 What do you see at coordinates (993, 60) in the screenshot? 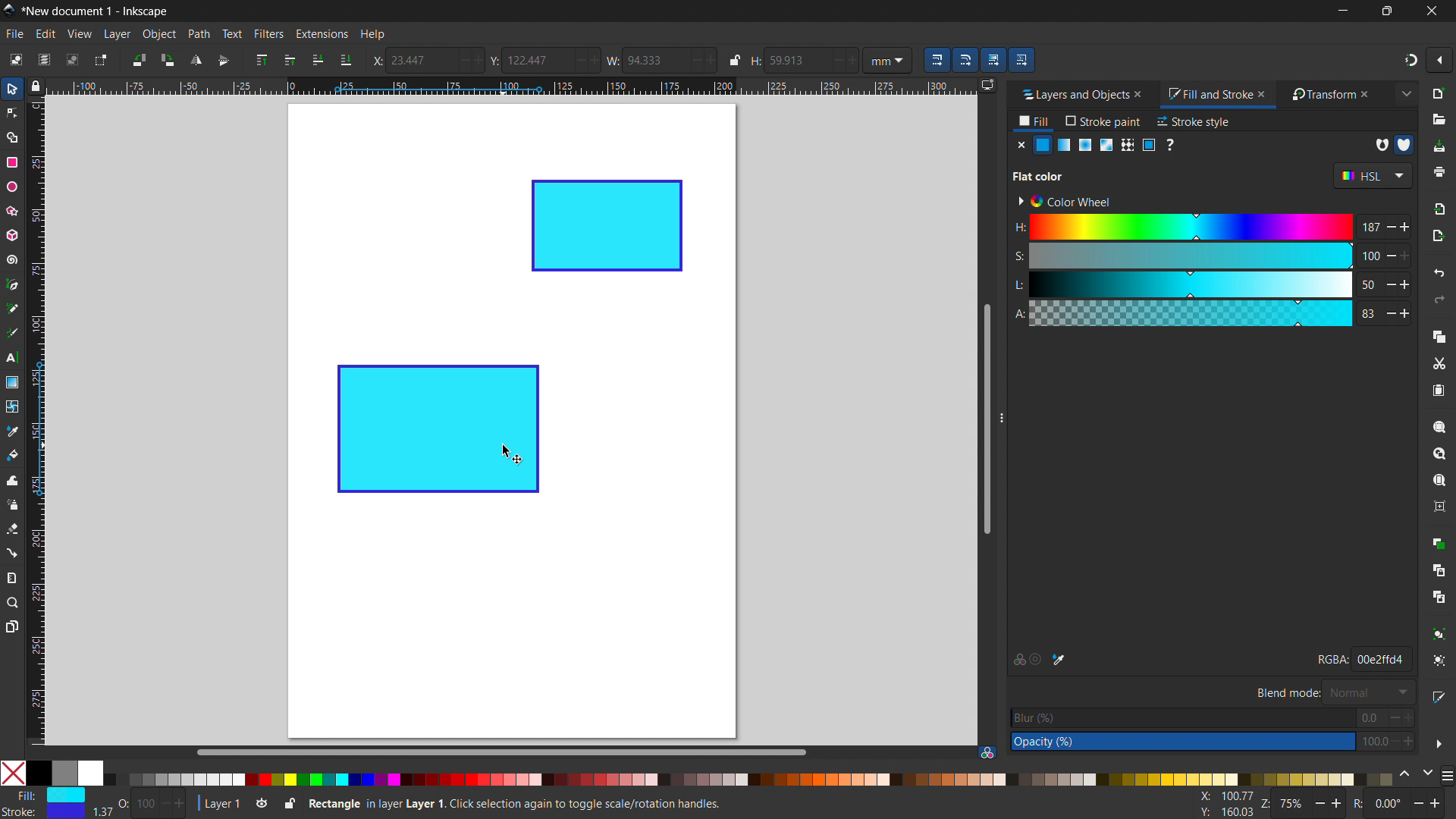
I see `move gradients along with the objects` at bounding box center [993, 60].